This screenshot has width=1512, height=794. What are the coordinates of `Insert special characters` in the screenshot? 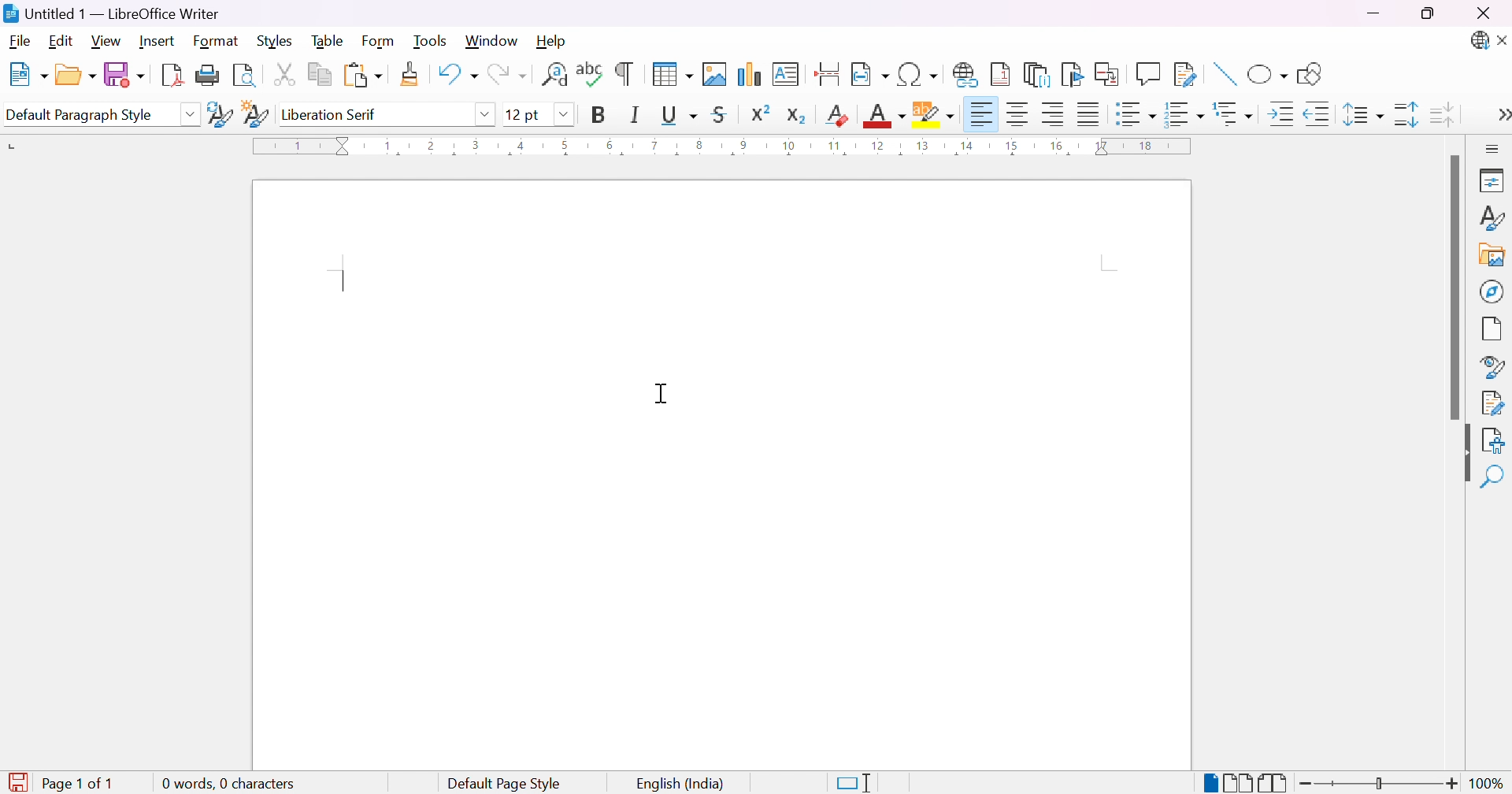 It's located at (919, 75).